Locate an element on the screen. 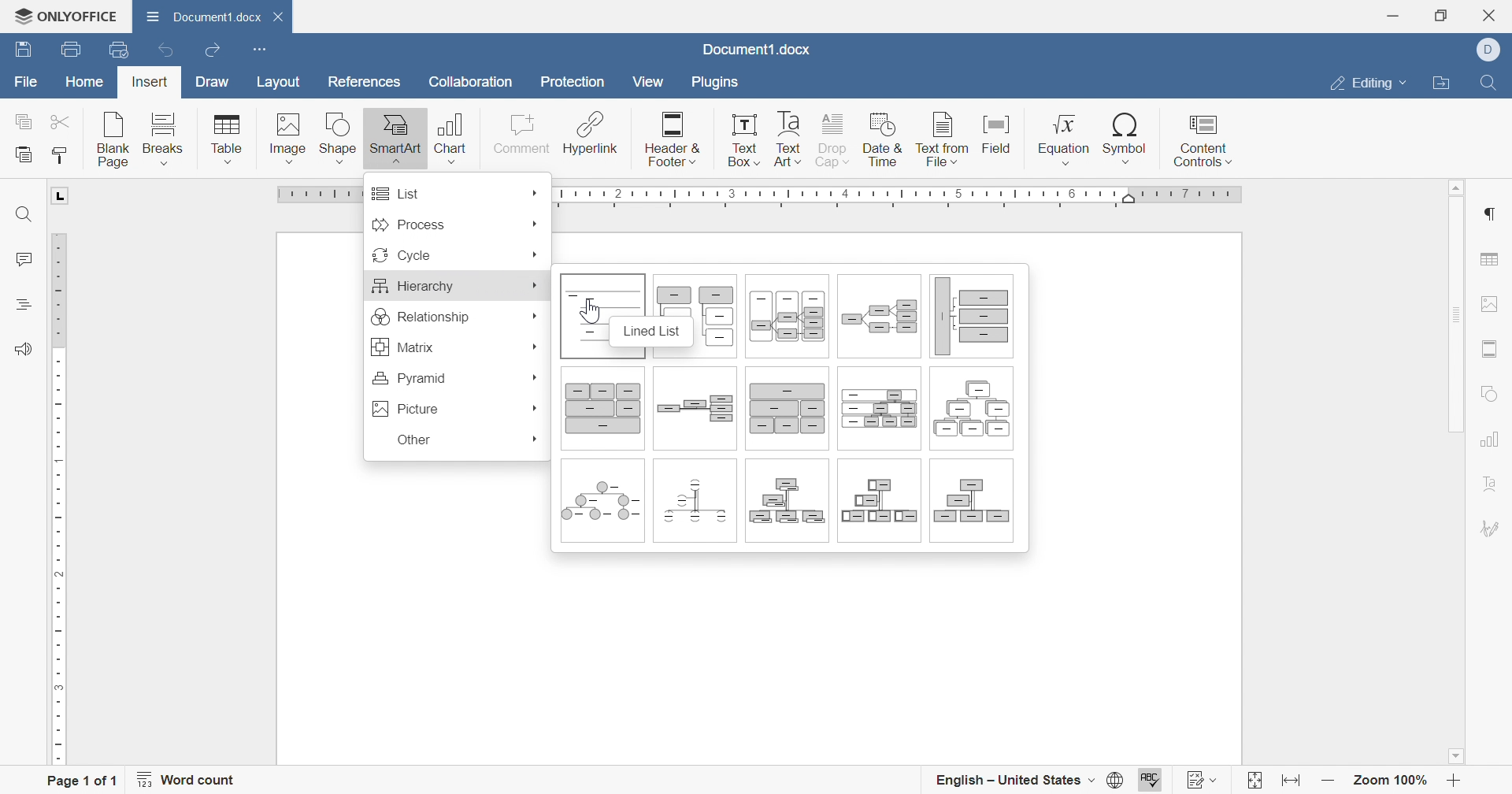 The width and height of the screenshot is (1512, 794). Home is located at coordinates (86, 82).